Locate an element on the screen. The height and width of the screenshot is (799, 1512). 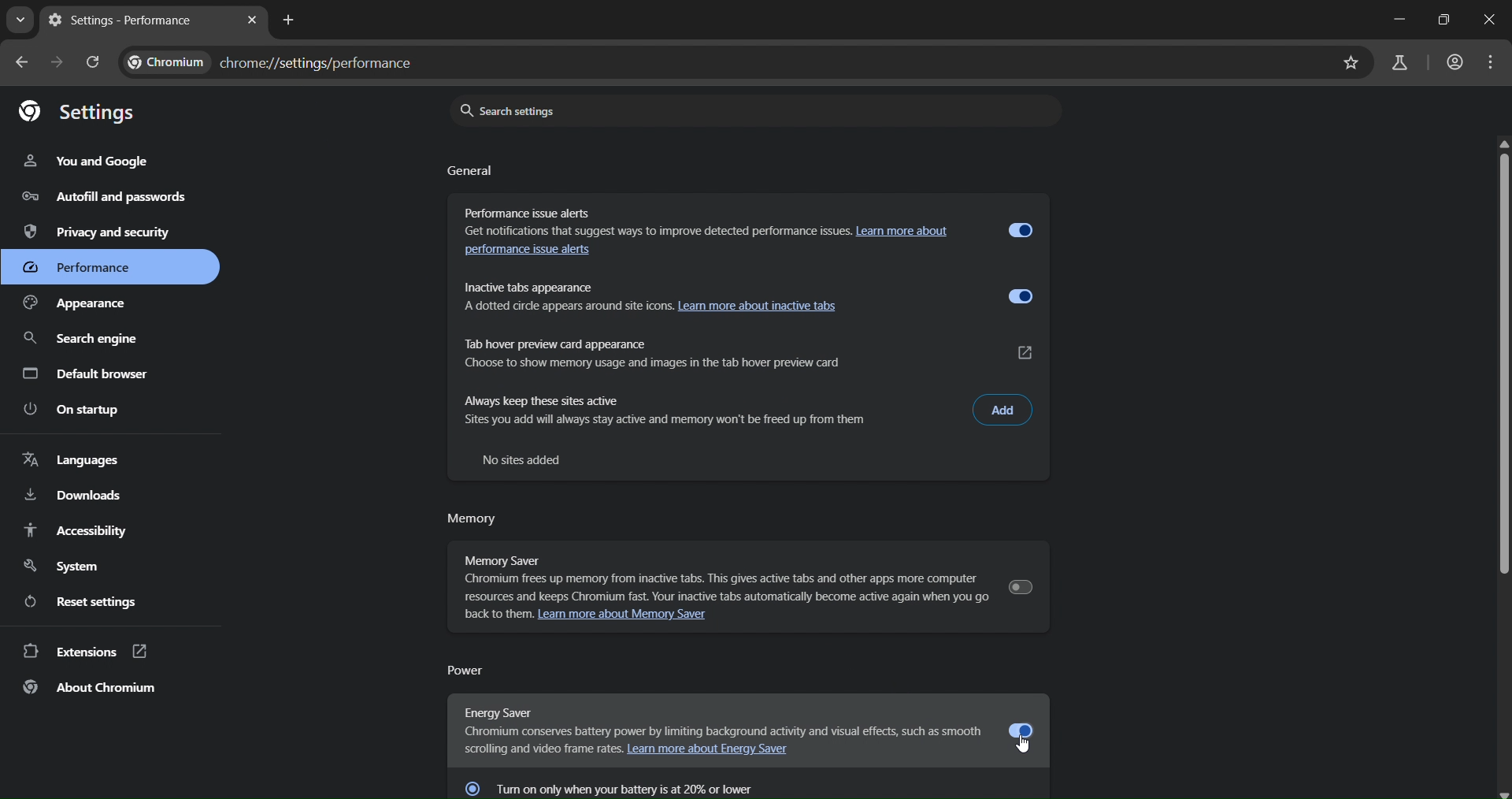
toggle button is located at coordinates (1022, 229).